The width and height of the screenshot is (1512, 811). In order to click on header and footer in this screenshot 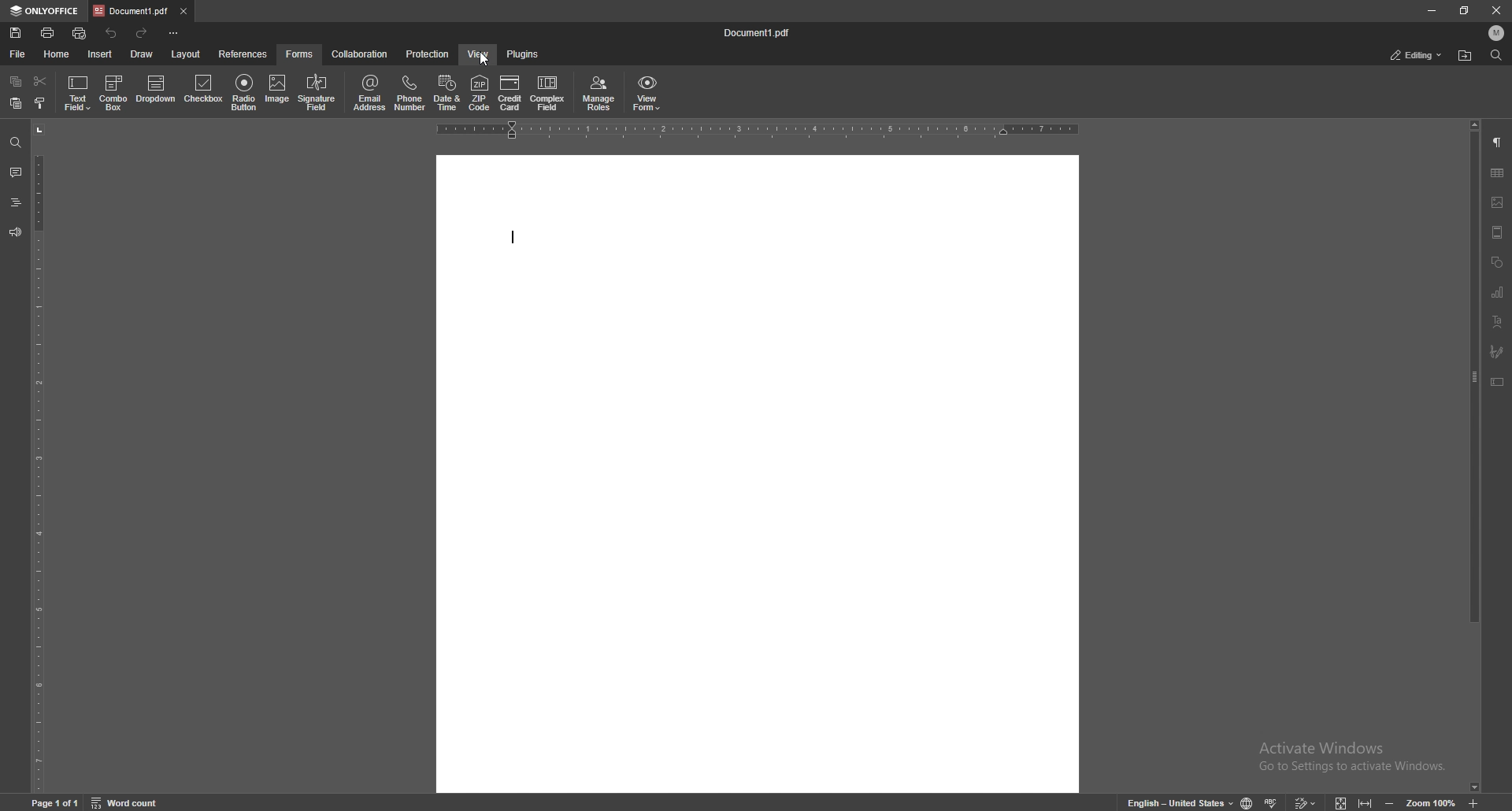, I will do `click(1496, 232)`.